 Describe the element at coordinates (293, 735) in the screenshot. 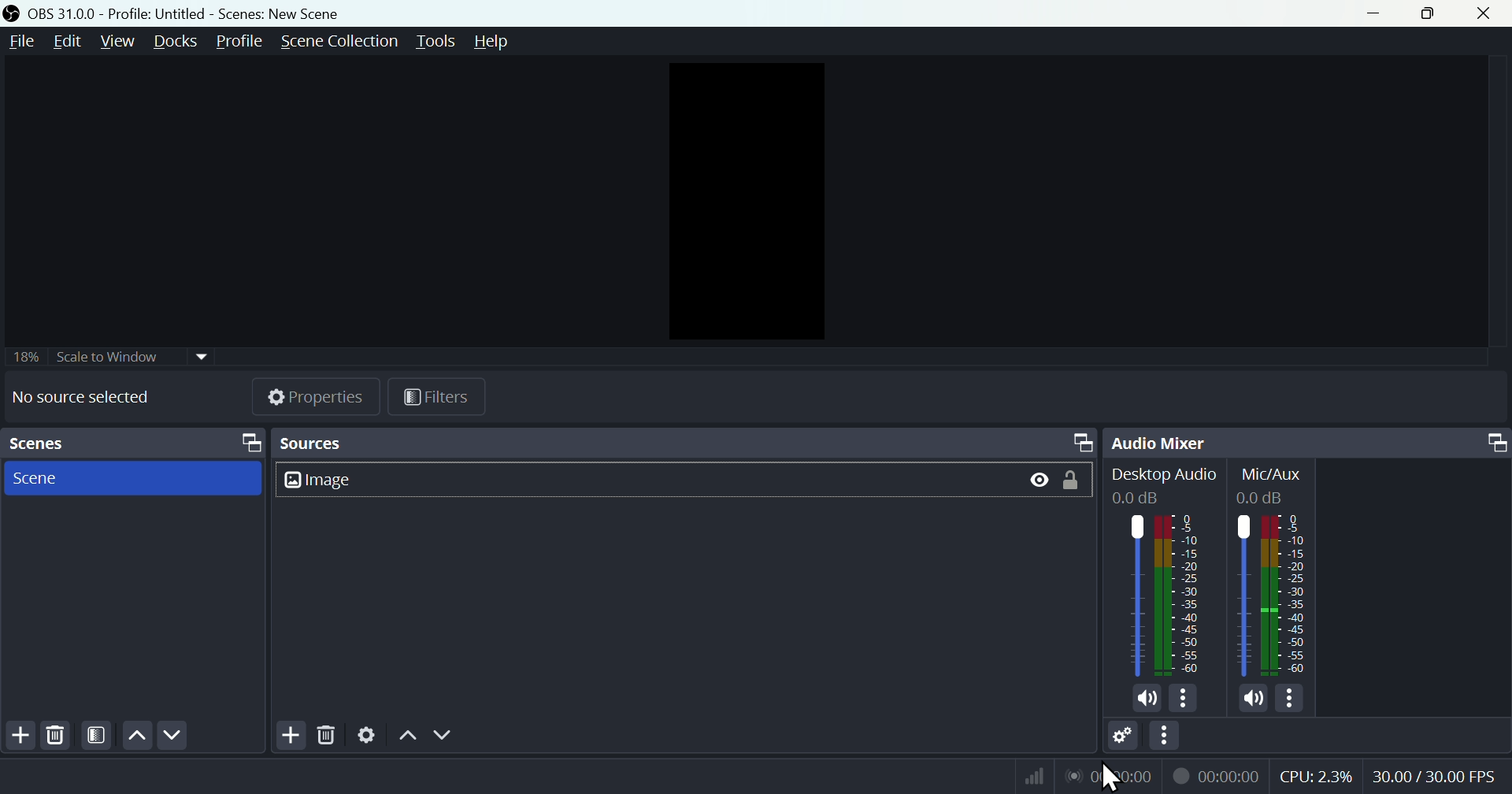

I see `Add` at that location.